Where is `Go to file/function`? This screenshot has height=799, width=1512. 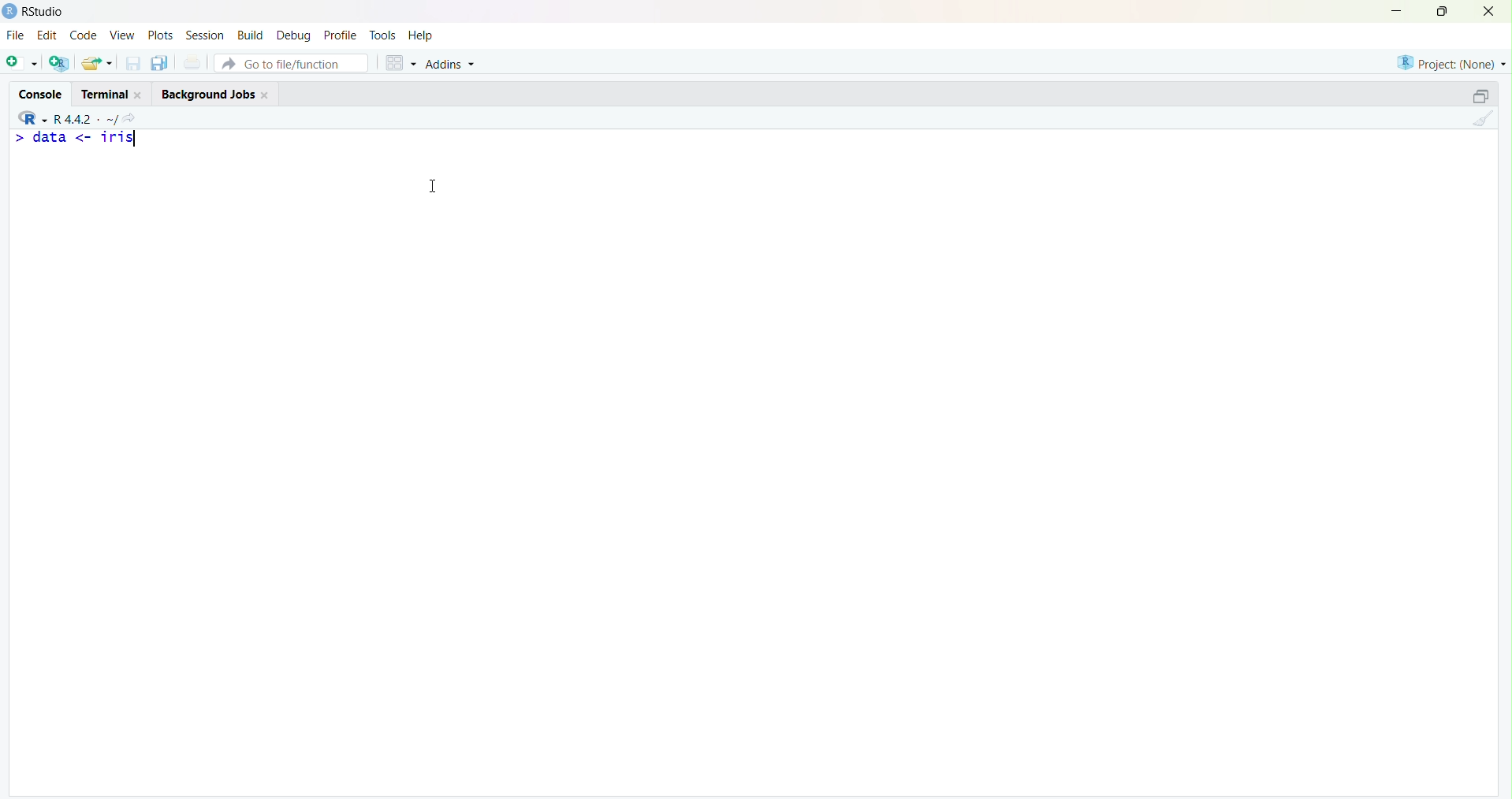
Go to file/function is located at coordinates (290, 61).